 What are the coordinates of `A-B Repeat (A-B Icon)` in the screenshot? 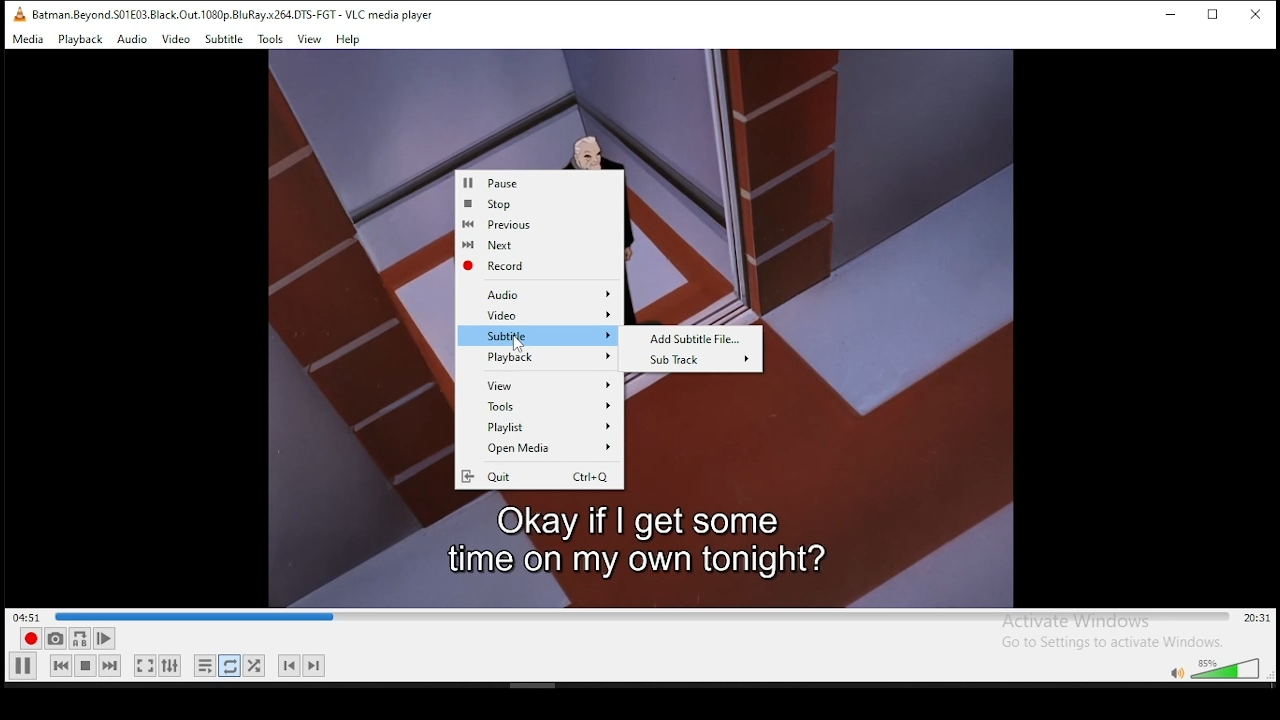 It's located at (81, 639).